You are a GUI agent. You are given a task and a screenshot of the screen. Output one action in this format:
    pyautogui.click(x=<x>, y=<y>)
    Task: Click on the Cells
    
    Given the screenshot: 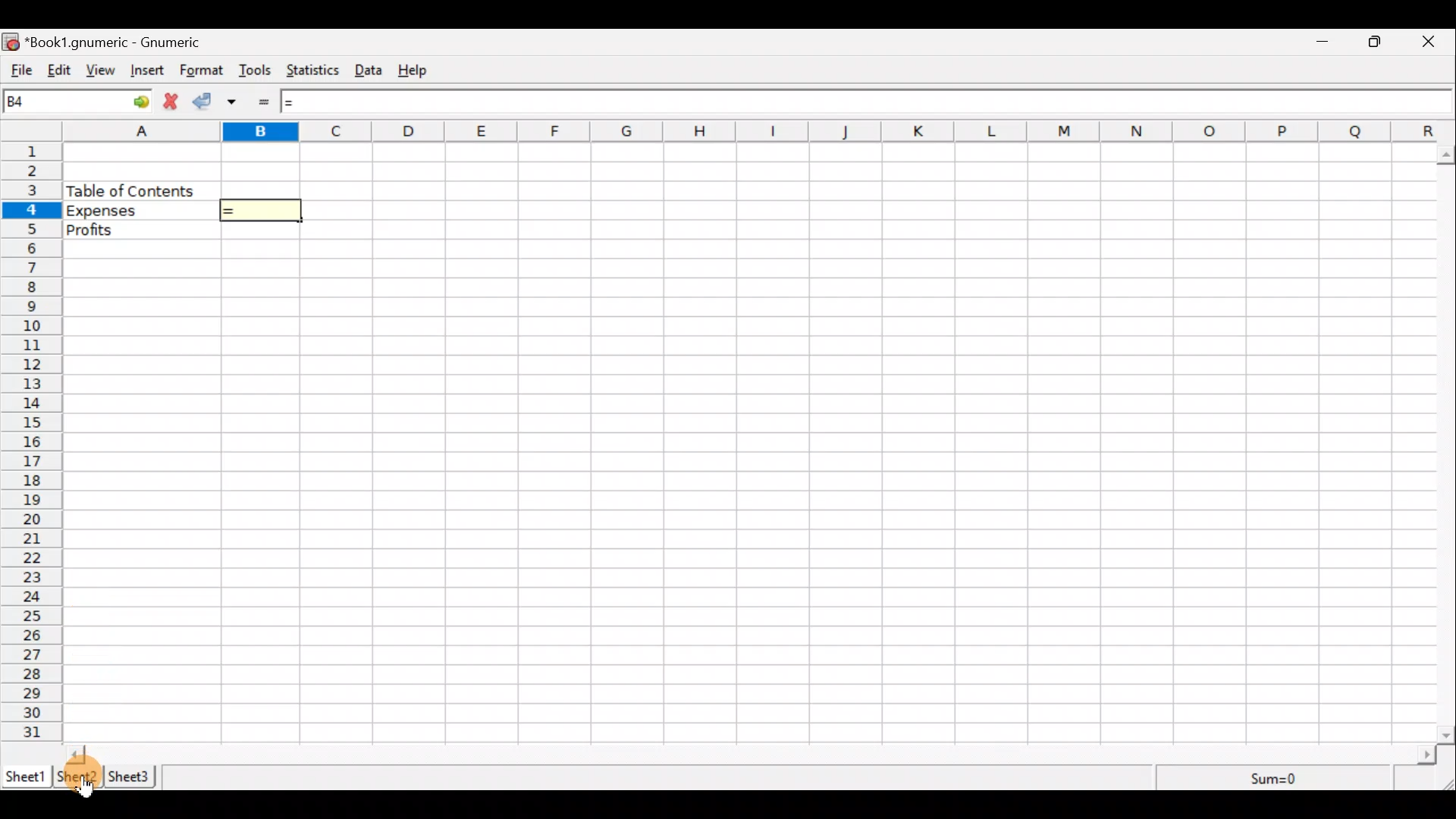 What is the action you would take?
    pyautogui.click(x=884, y=439)
    